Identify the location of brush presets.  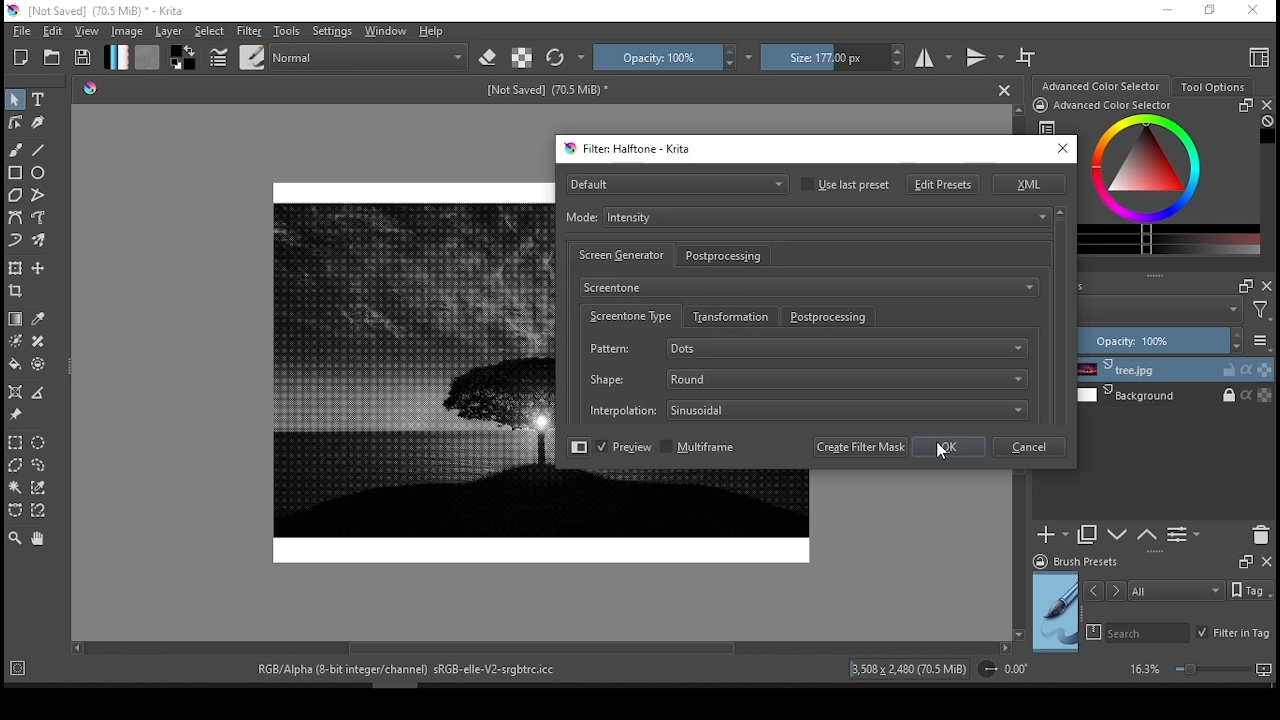
(1107, 562).